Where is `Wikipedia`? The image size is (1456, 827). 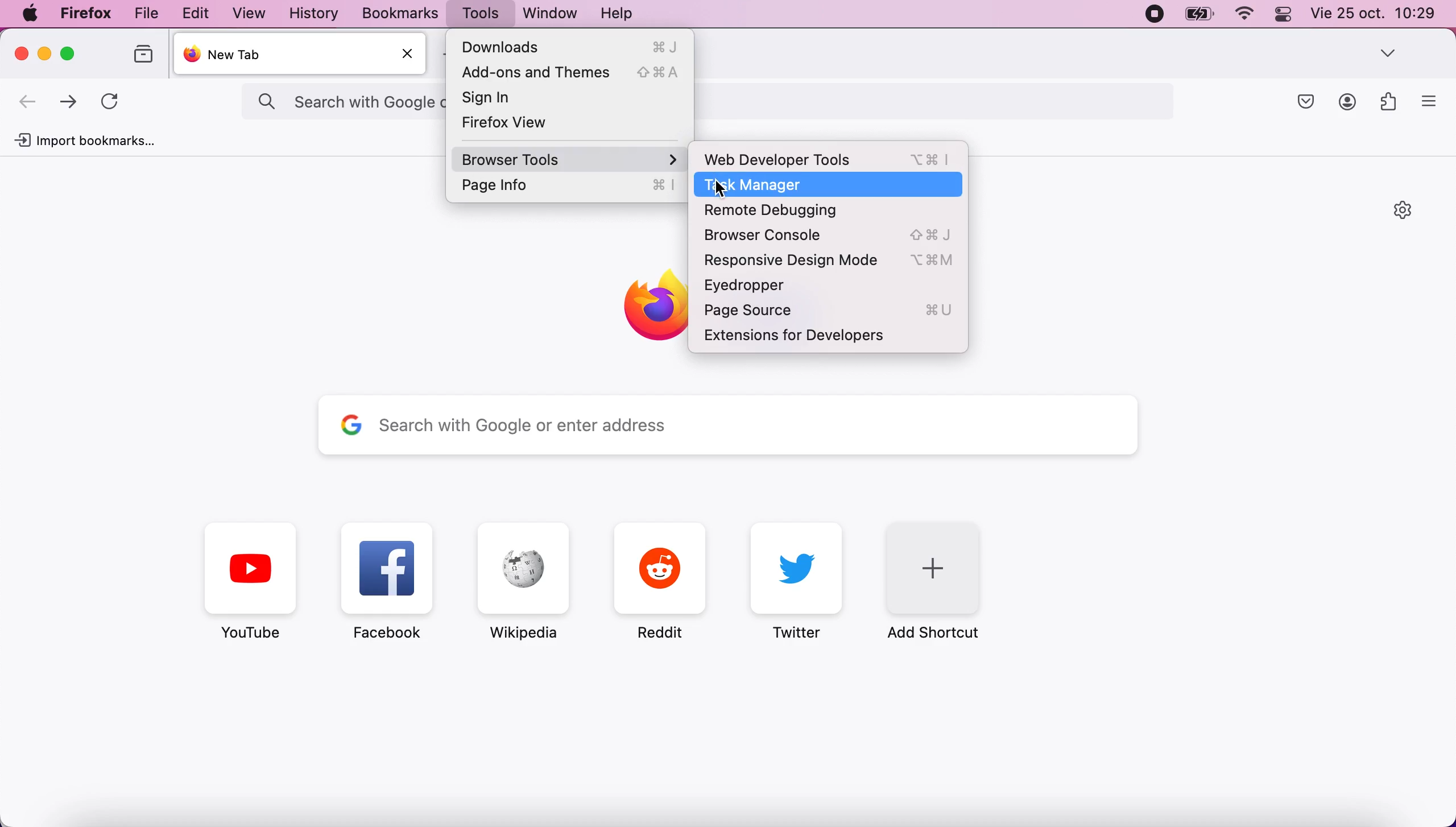
Wikipedia is located at coordinates (523, 581).